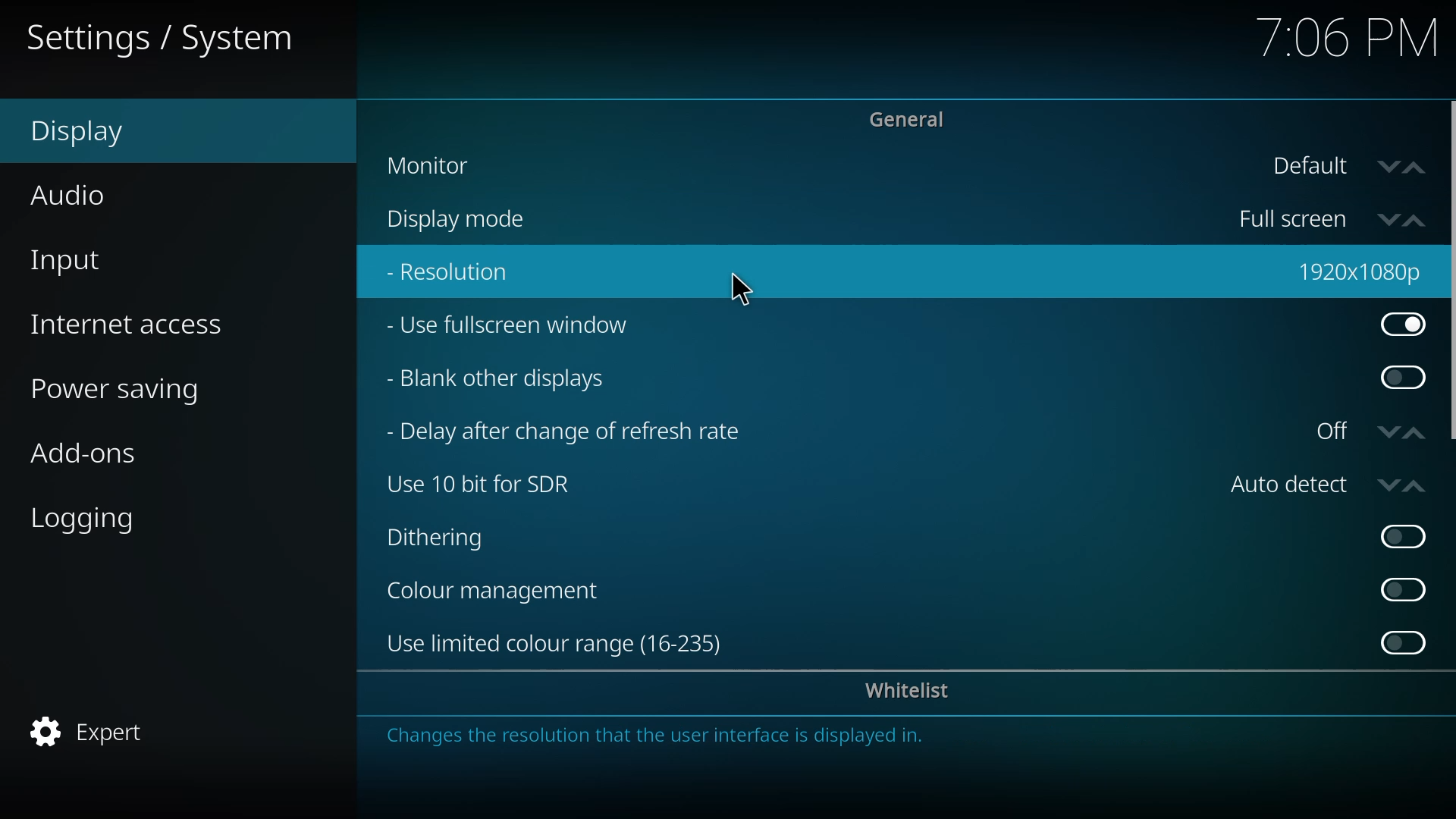 The image size is (1456, 819). I want to click on monitor, so click(433, 165).